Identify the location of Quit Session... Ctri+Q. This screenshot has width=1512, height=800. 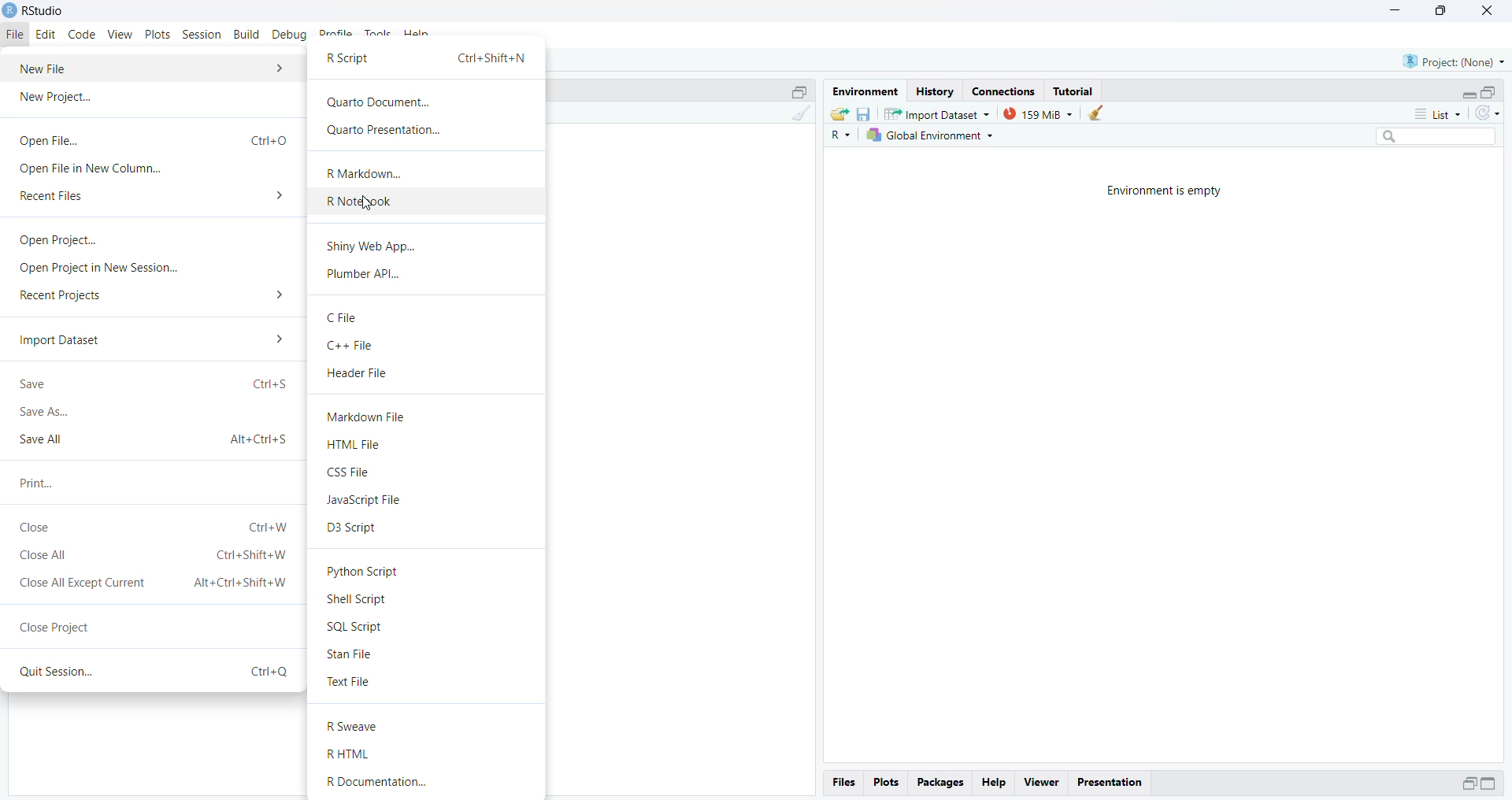
(150, 672).